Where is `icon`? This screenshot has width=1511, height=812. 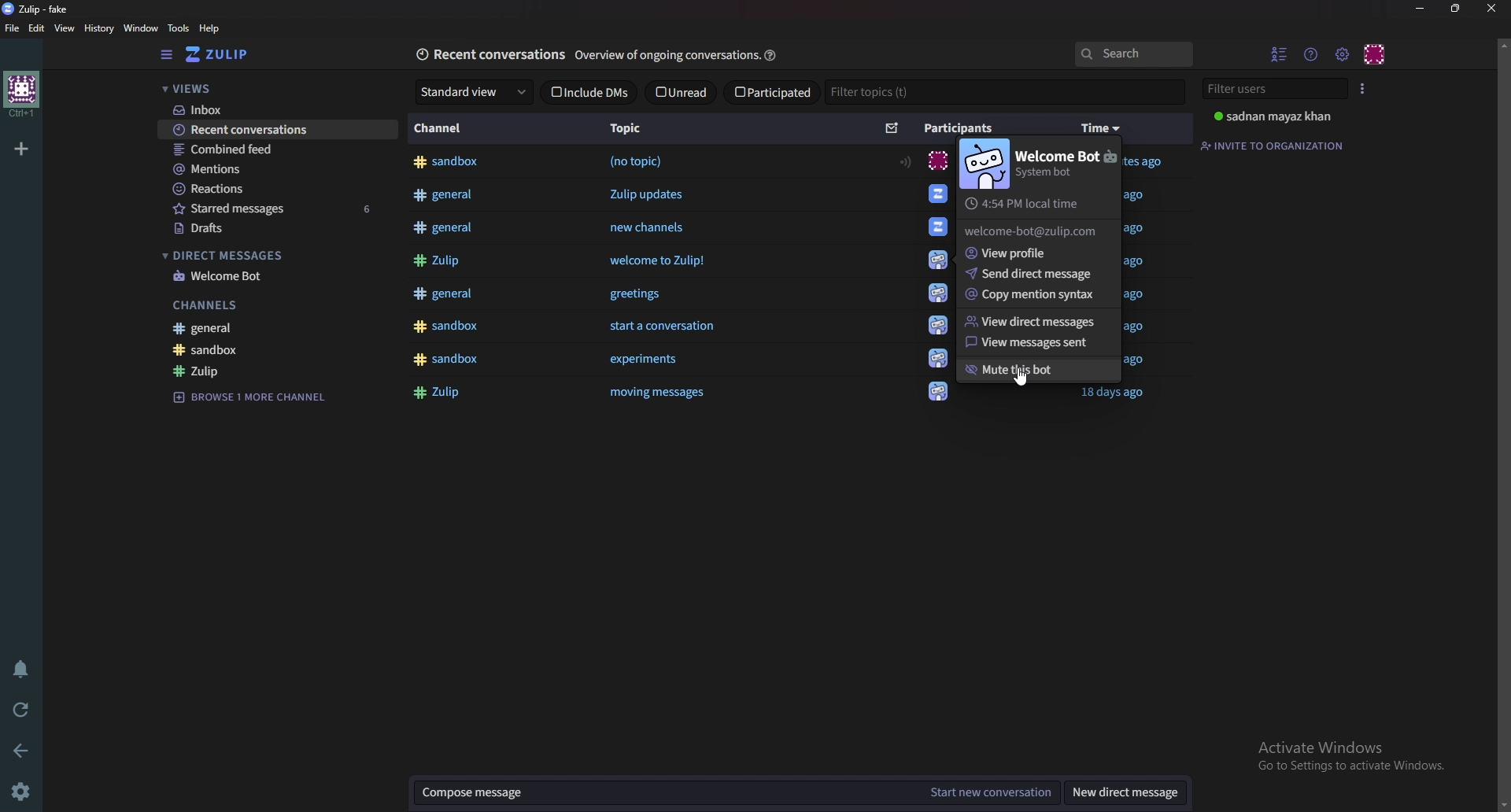 icon is located at coordinates (930, 160).